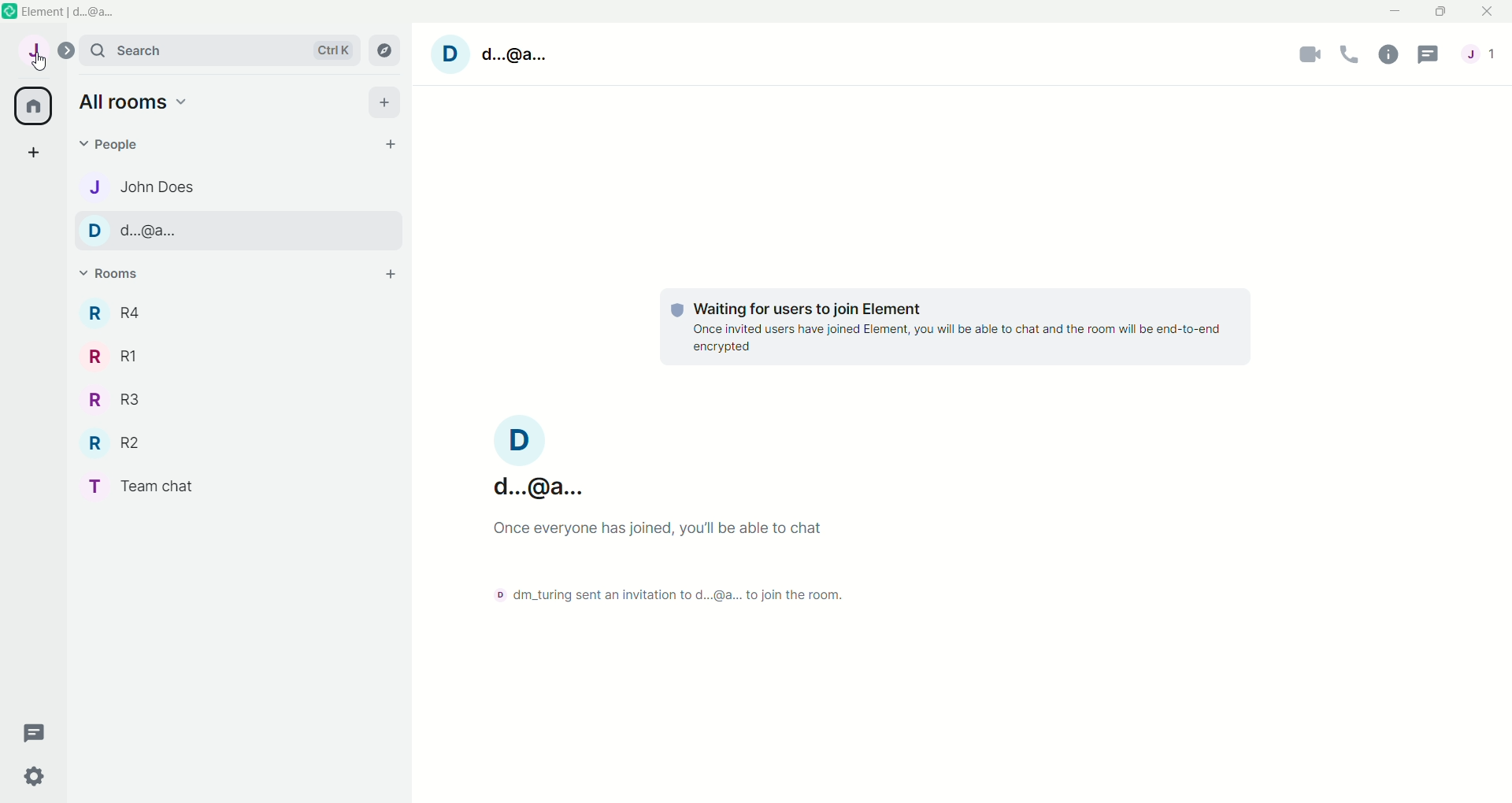 This screenshot has height=803, width=1512. Describe the element at coordinates (9, 12) in the screenshot. I see `Element app icon` at that location.